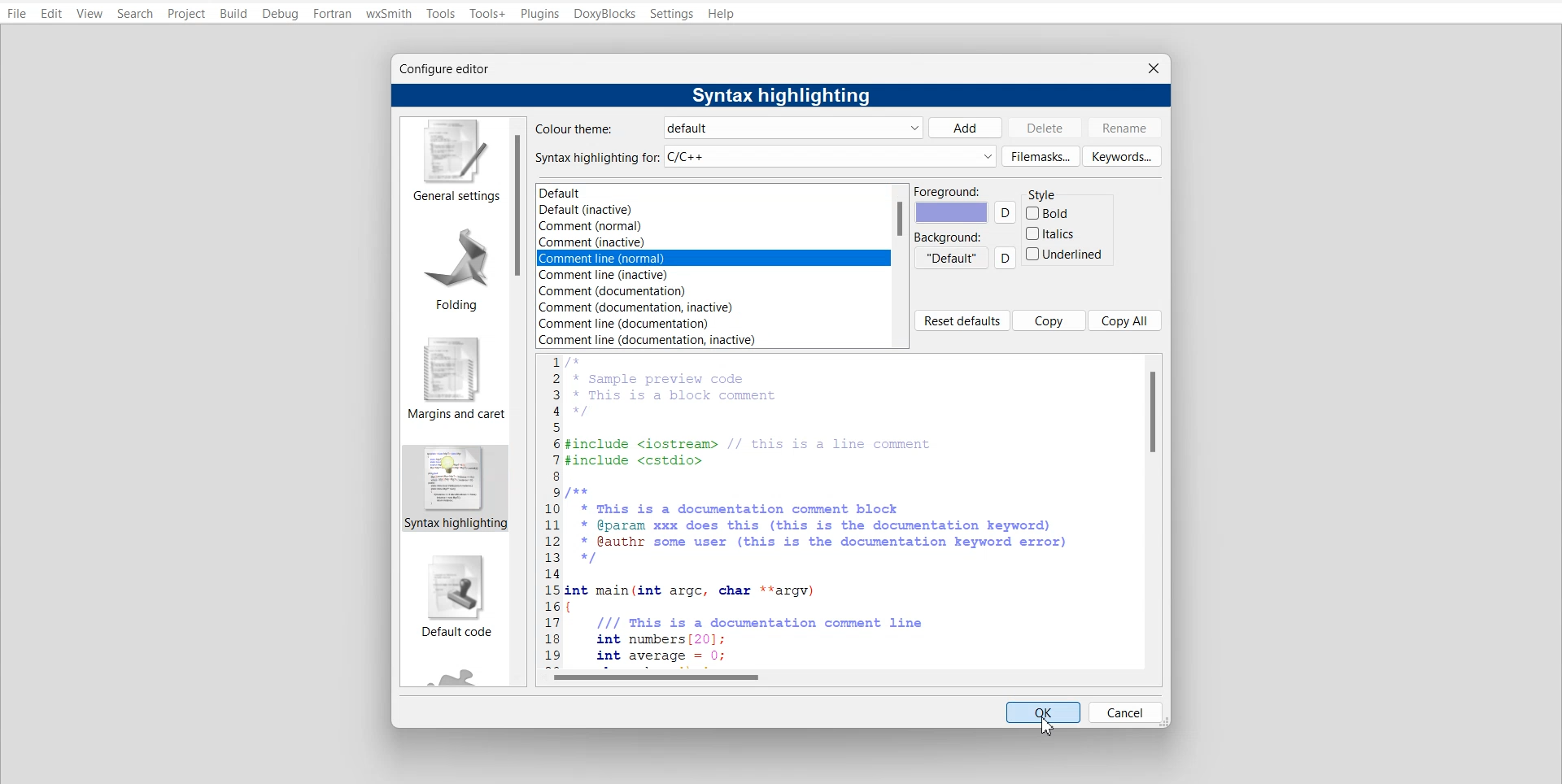 Image resolution: width=1562 pixels, height=784 pixels. What do you see at coordinates (1043, 712) in the screenshot?
I see `OK` at bounding box center [1043, 712].